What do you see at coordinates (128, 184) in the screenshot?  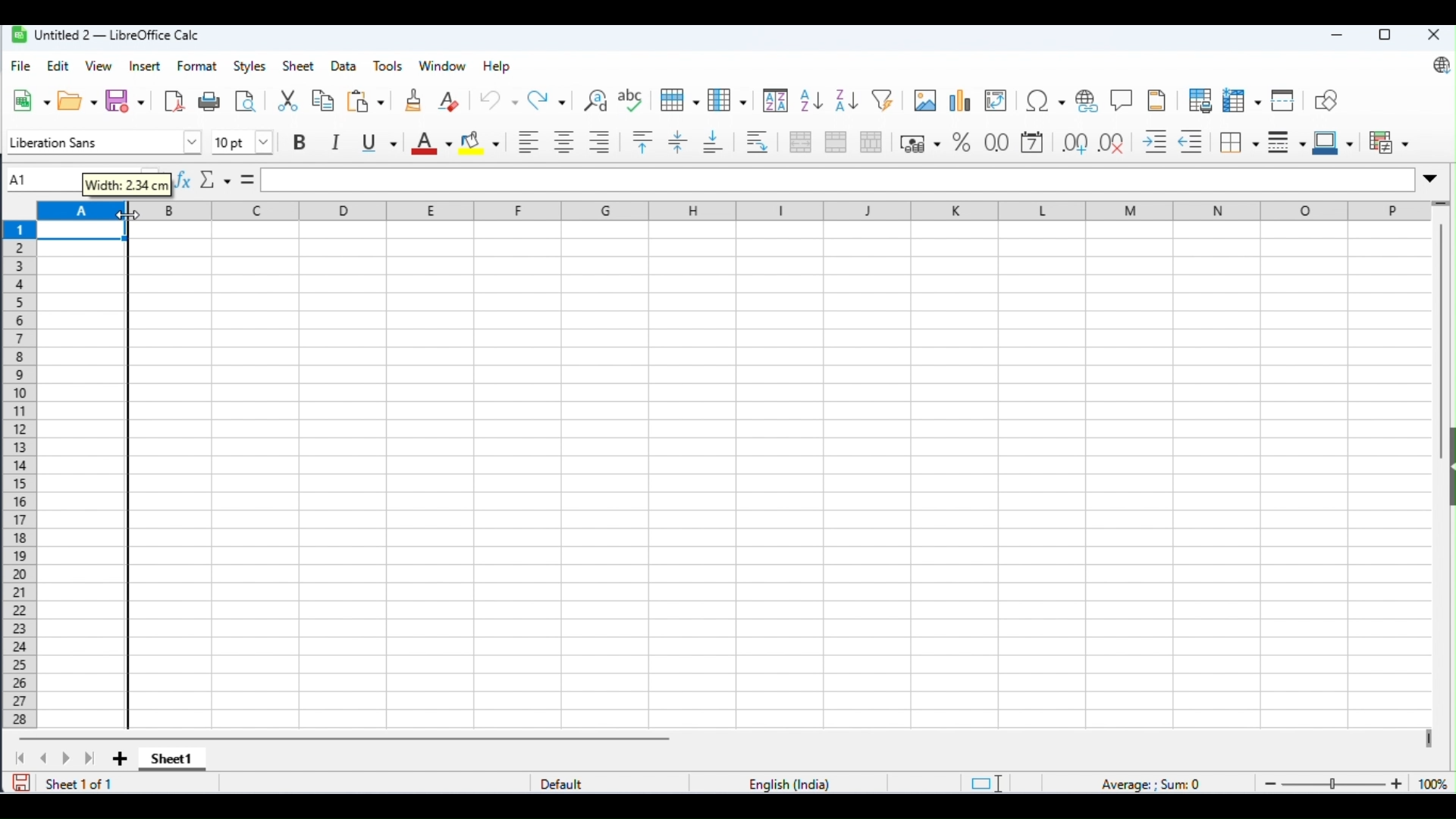 I see `width: 2.34cm` at bounding box center [128, 184].